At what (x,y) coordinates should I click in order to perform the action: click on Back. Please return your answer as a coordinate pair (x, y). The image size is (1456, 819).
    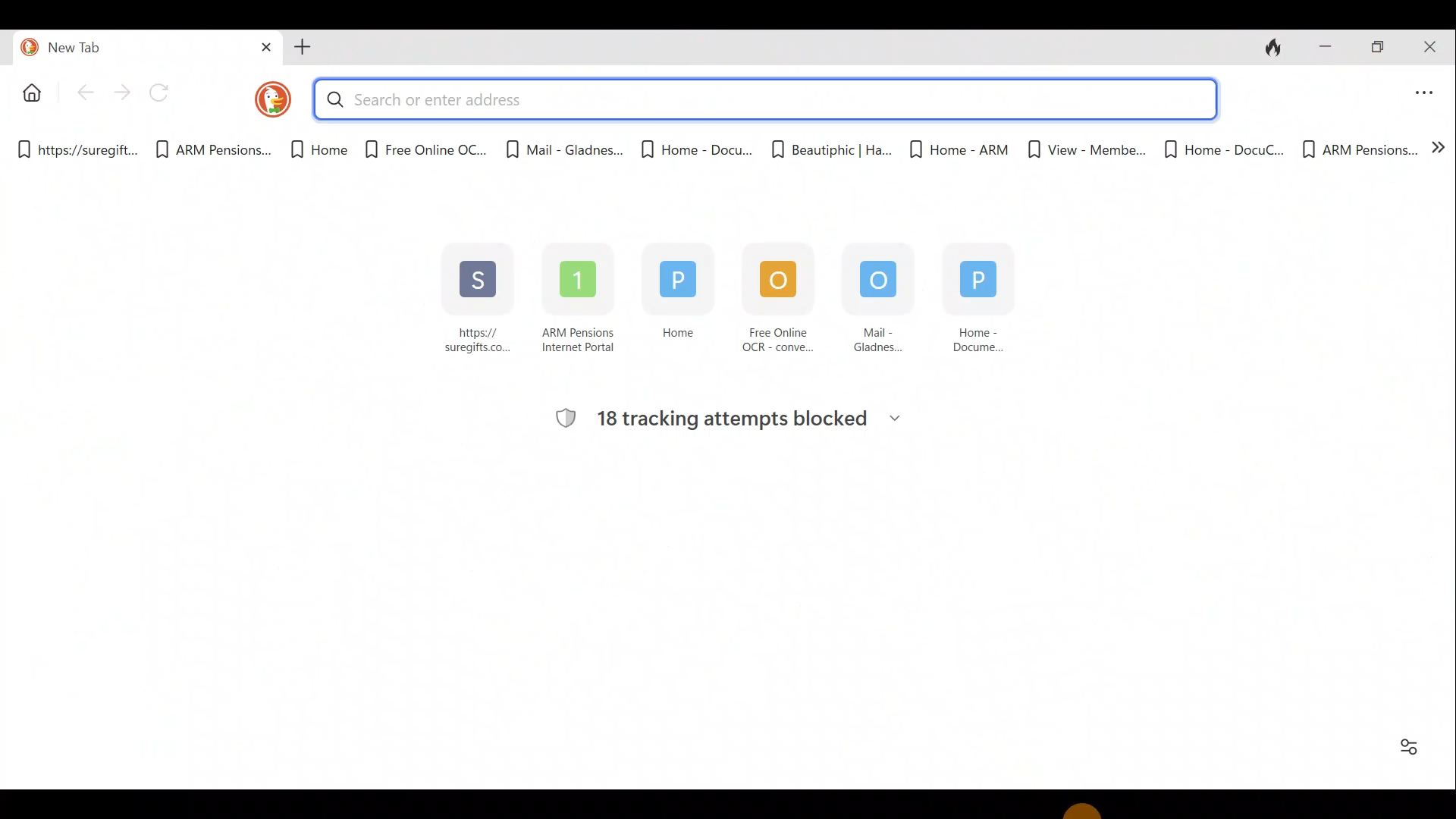
    Looking at the image, I should click on (84, 96).